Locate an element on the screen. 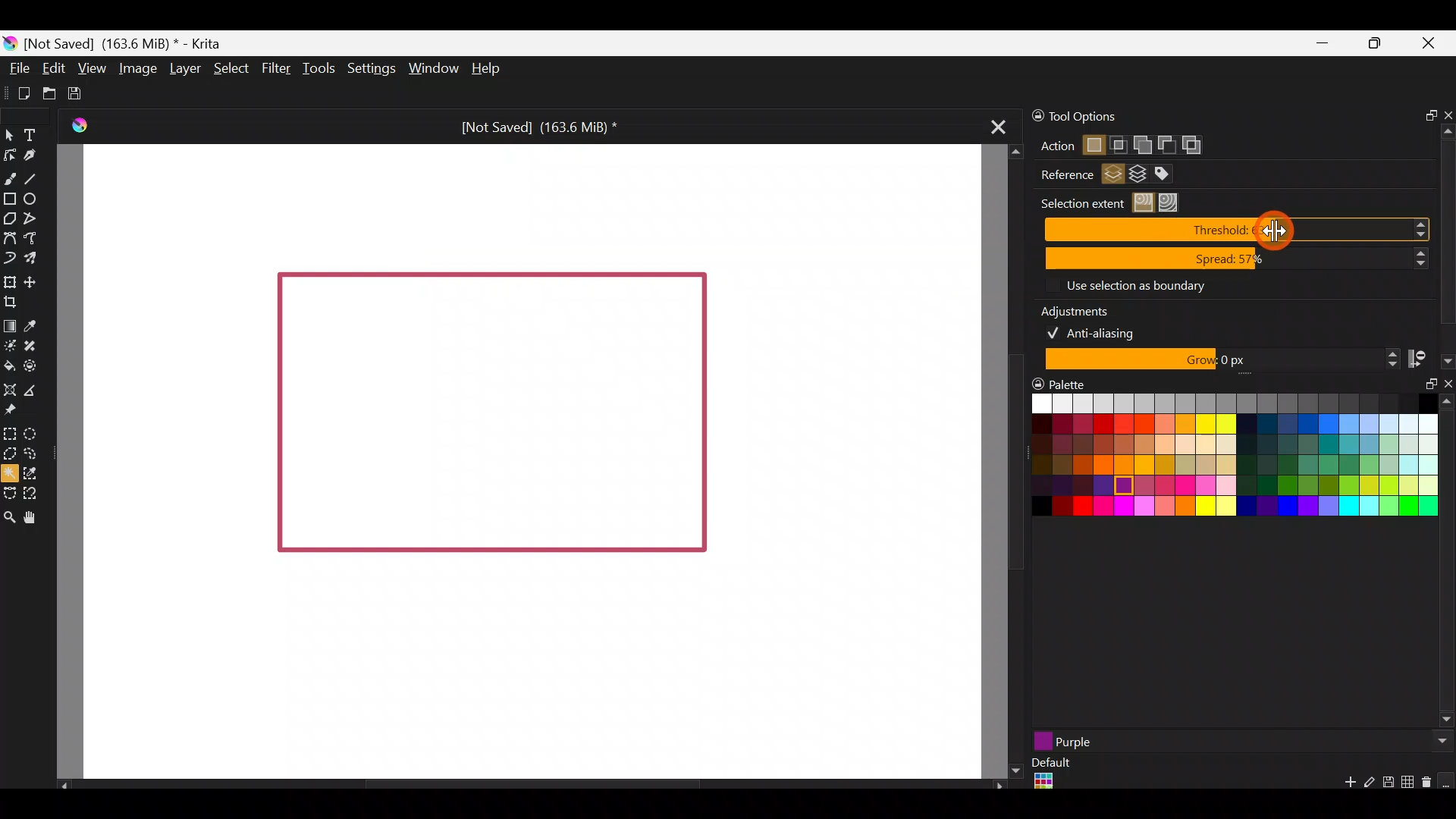 The image size is (1456, 819). Purple color is located at coordinates (1159, 741).